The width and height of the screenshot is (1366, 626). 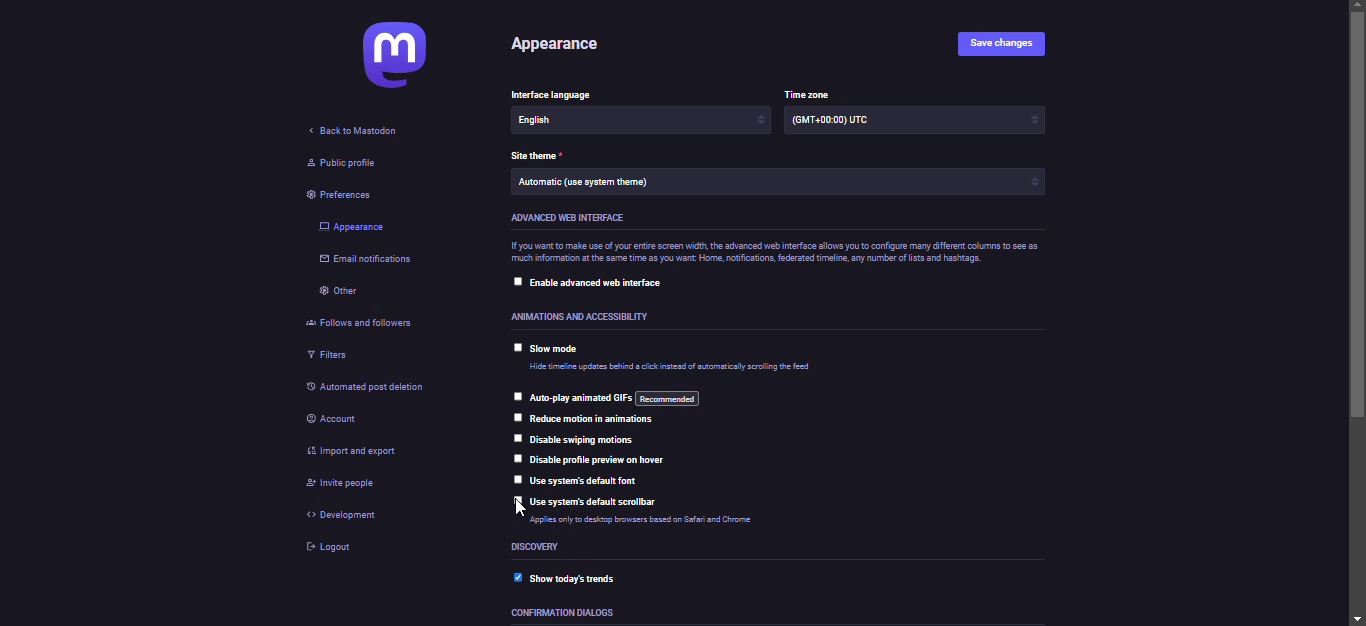 What do you see at coordinates (663, 520) in the screenshot?
I see `info` at bounding box center [663, 520].